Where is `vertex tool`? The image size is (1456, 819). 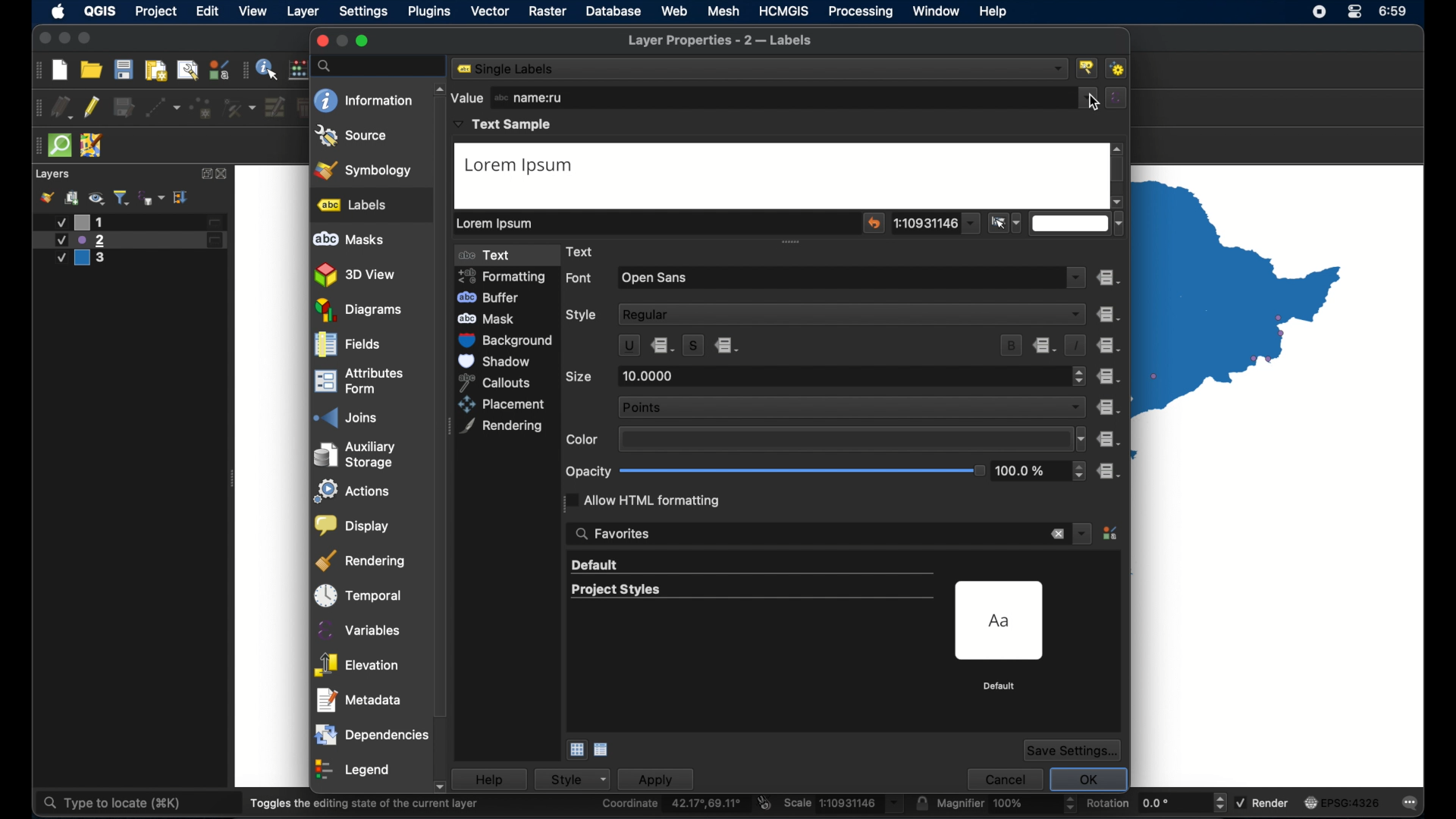 vertex tool is located at coordinates (240, 108).